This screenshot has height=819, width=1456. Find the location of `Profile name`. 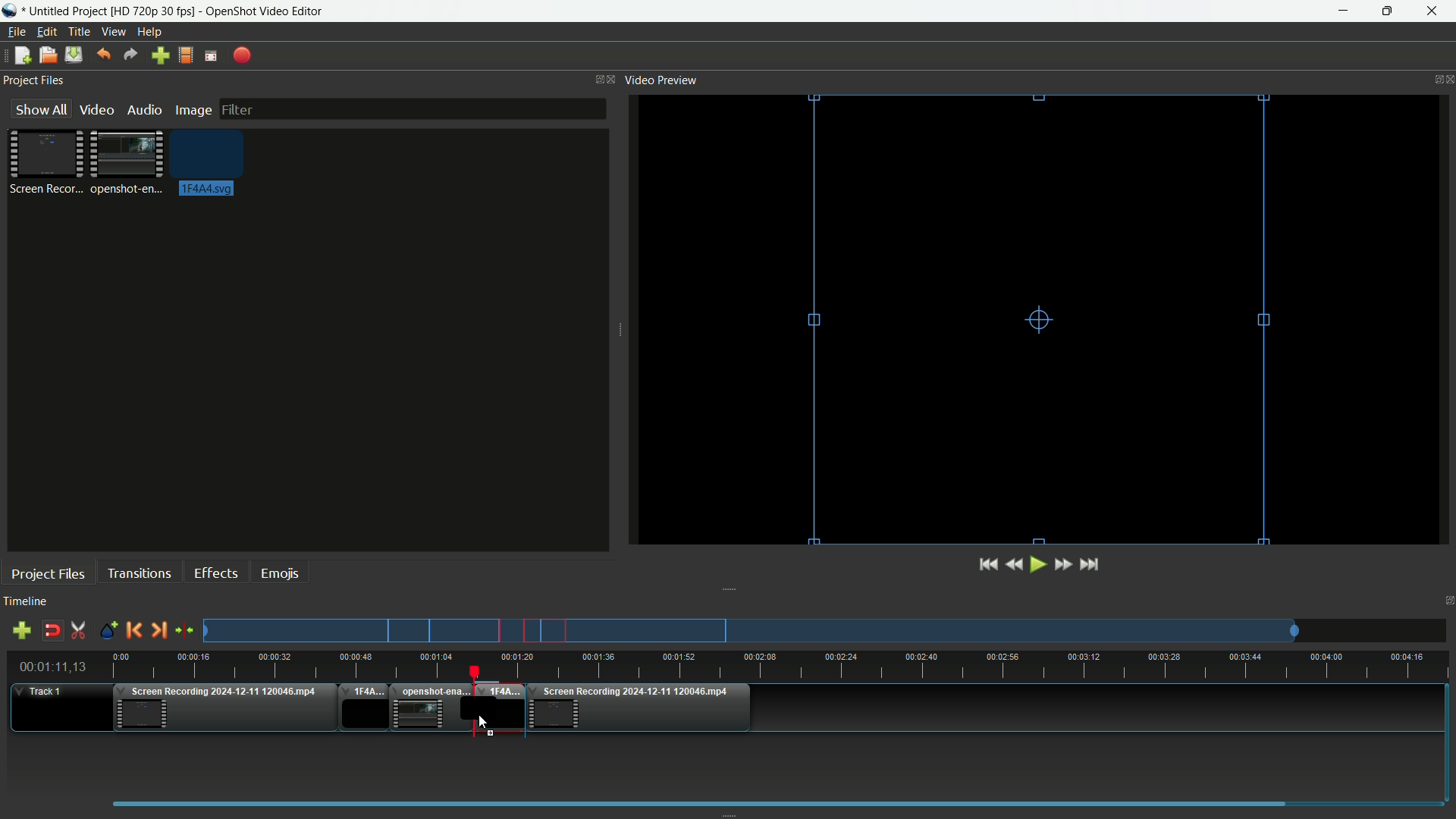

Profile name is located at coordinates (154, 12).